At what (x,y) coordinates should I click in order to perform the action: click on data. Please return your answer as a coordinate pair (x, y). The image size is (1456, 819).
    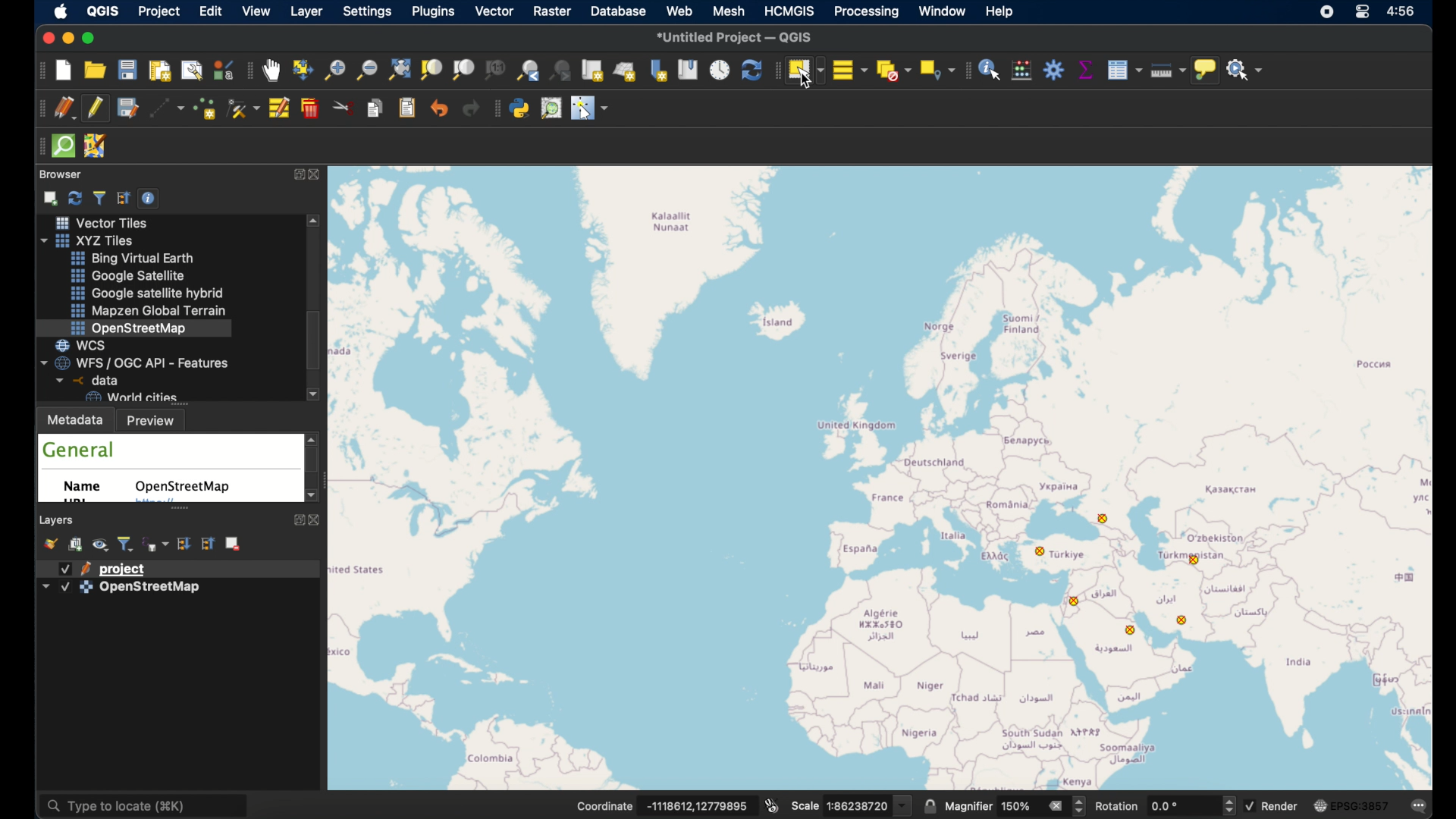
    Looking at the image, I should click on (84, 380).